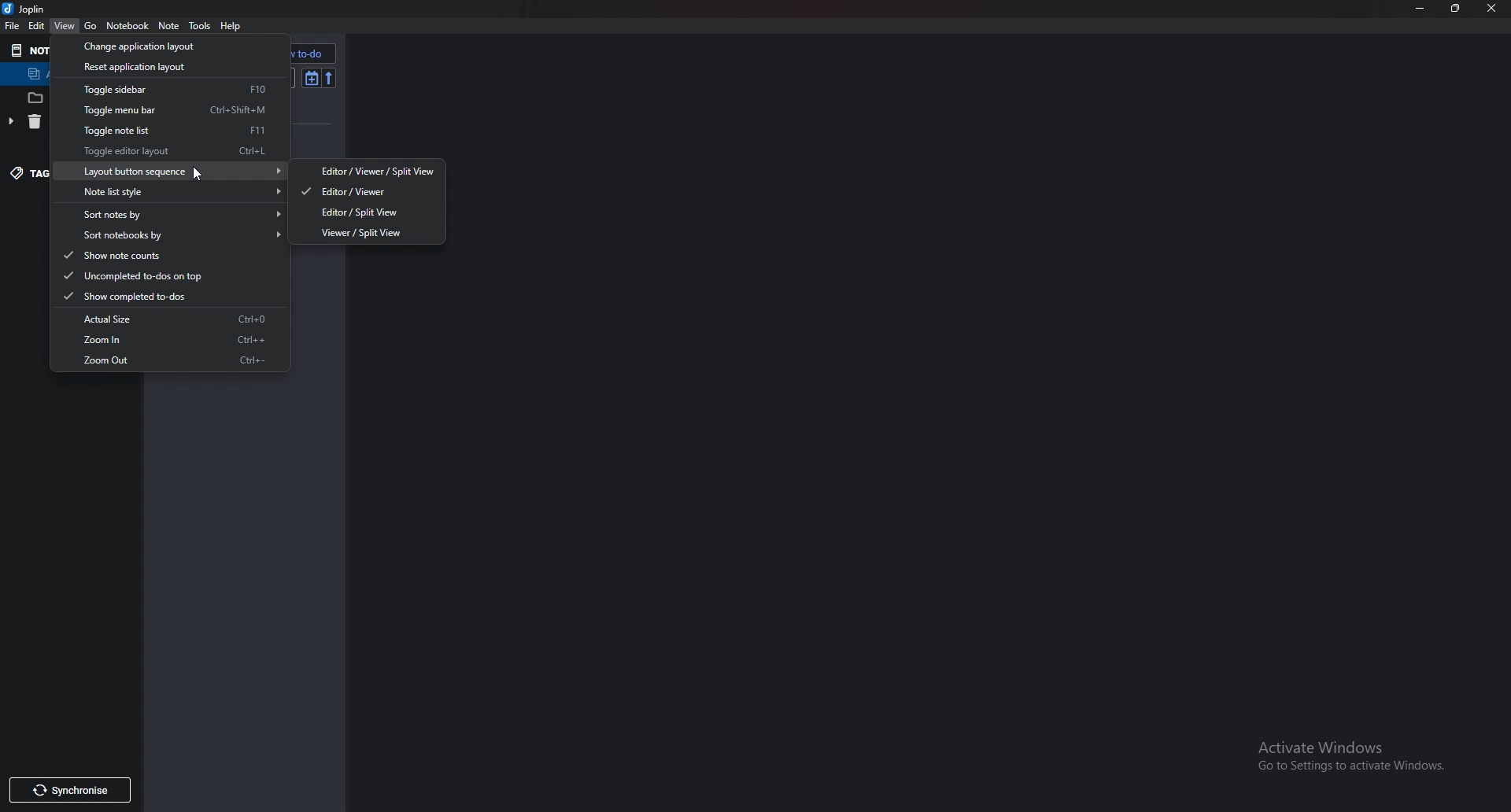 The height and width of the screenshot is (812, 1511). I want to click on go, so click(92, 24).